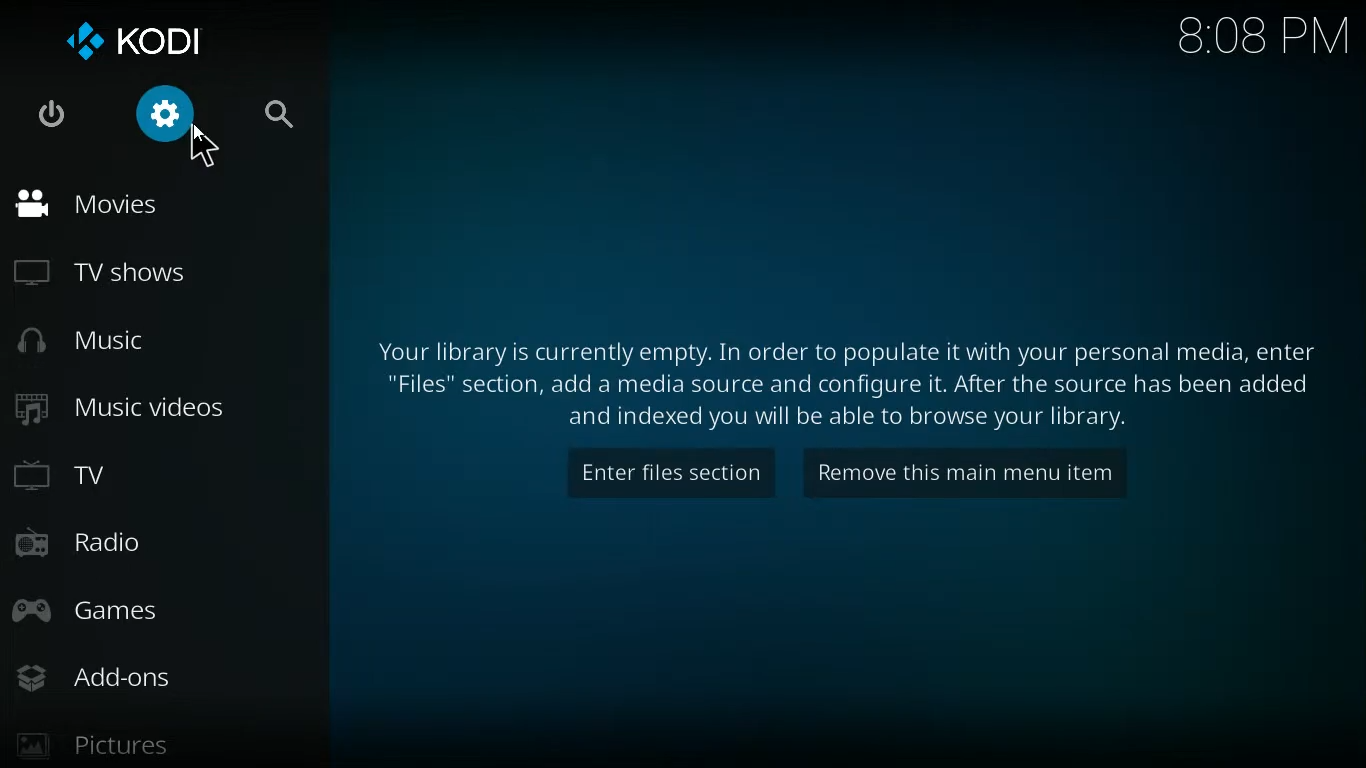  I want to click on remove this main menu item, so click(962, 475).